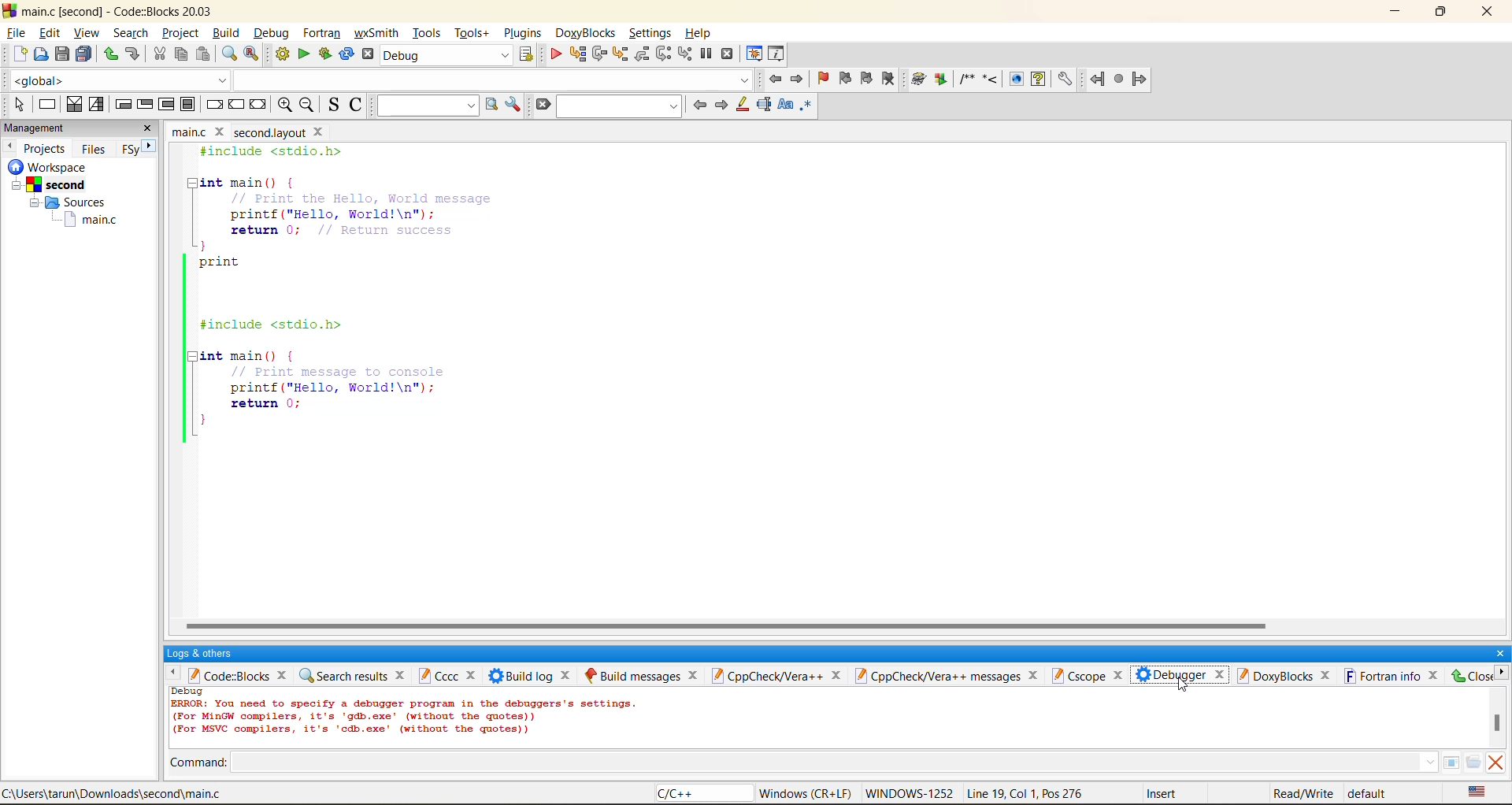  Describe the element at coordinates (584, 31) in the screenshot. I see `doxyblocks` at that location.